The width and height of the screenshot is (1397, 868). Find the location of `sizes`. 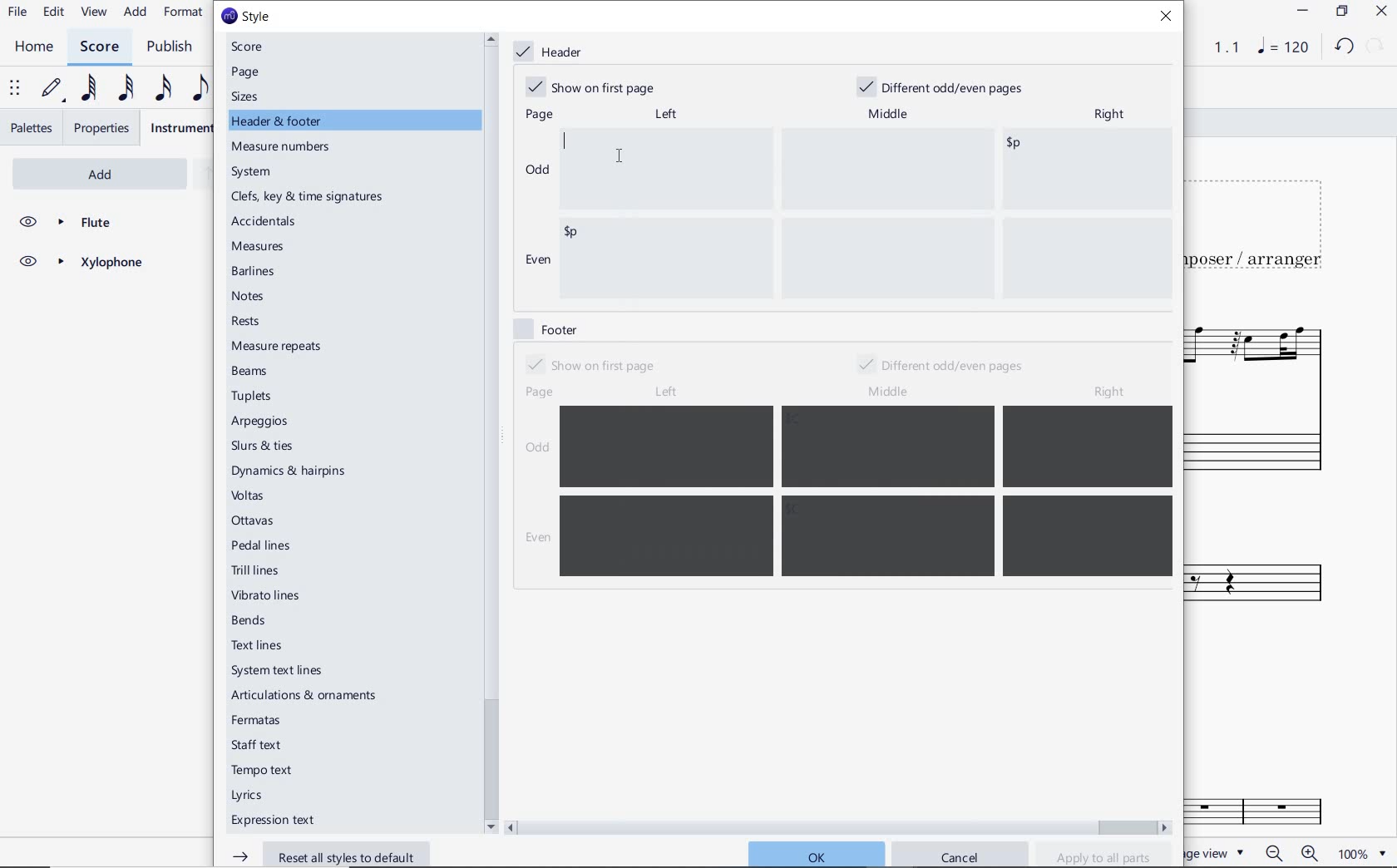

sizes is located at coordinates (249, 96).